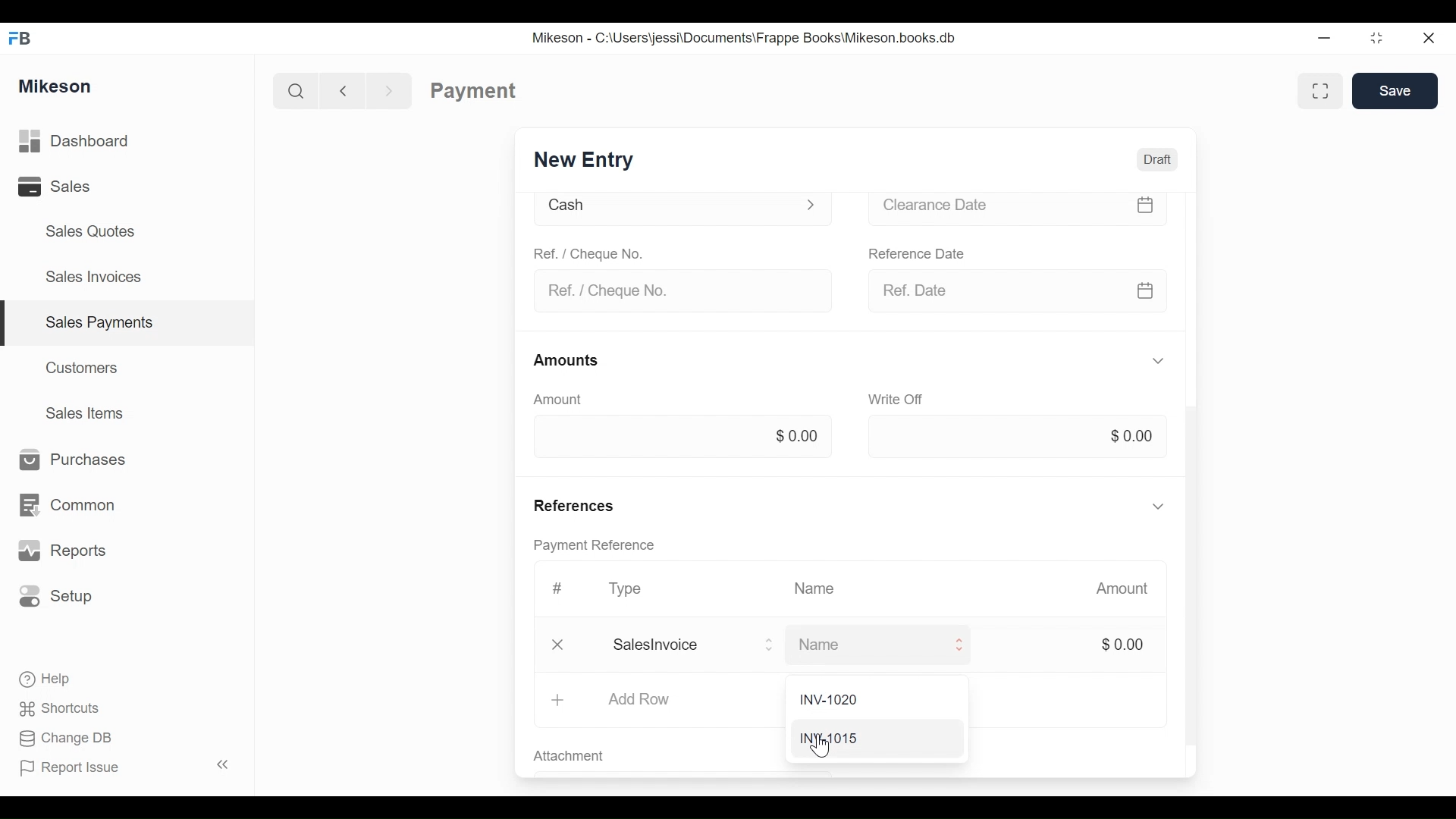 This screenshot has height=819, width=1456. Describe the element at coordinates (637, 701) in the screenshot. I see `Add Row` at that location.